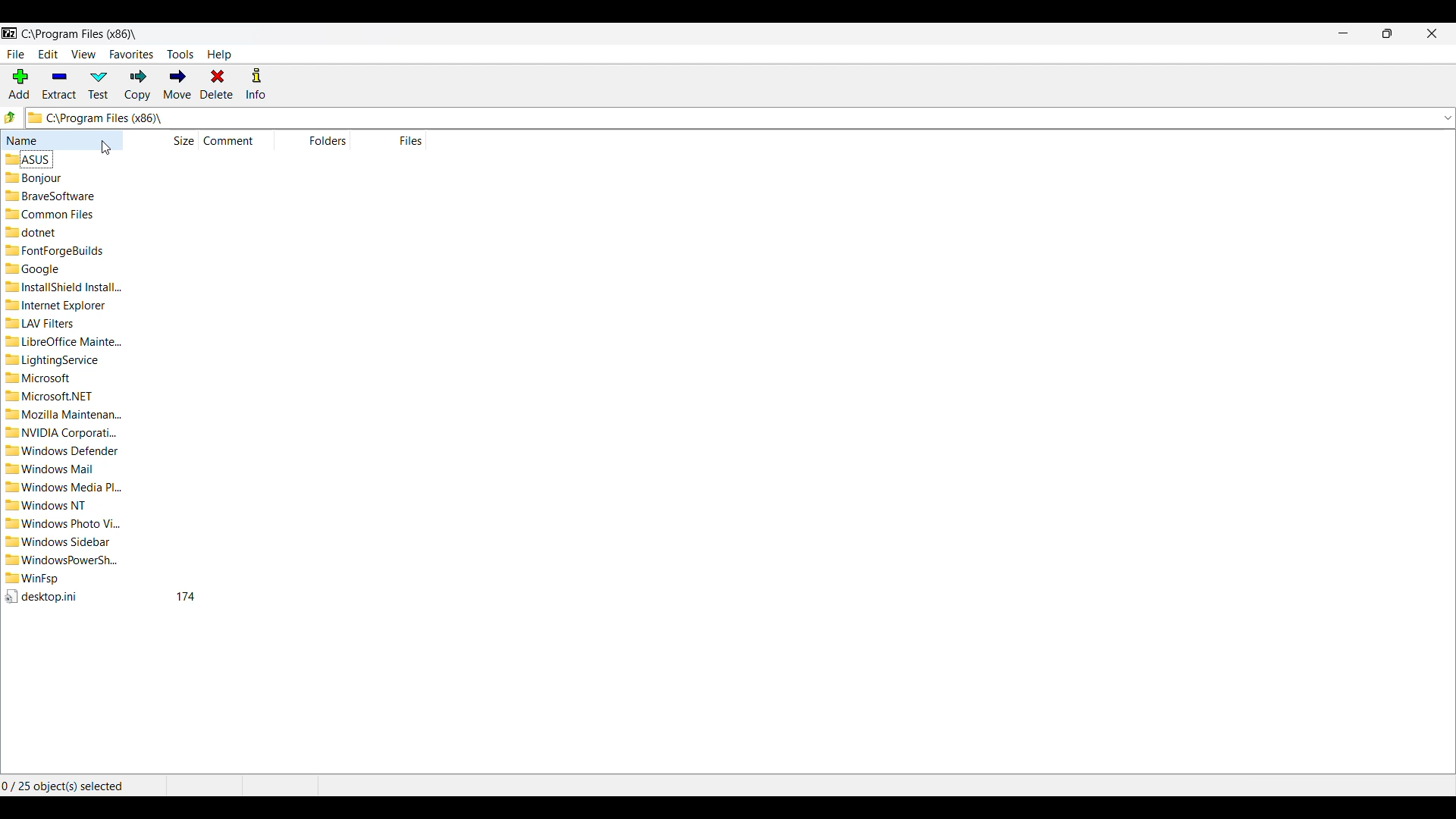  Describe the element at coordinates (61, 560) in the screenshot. I see `WindowsPowerShe..` at that location.